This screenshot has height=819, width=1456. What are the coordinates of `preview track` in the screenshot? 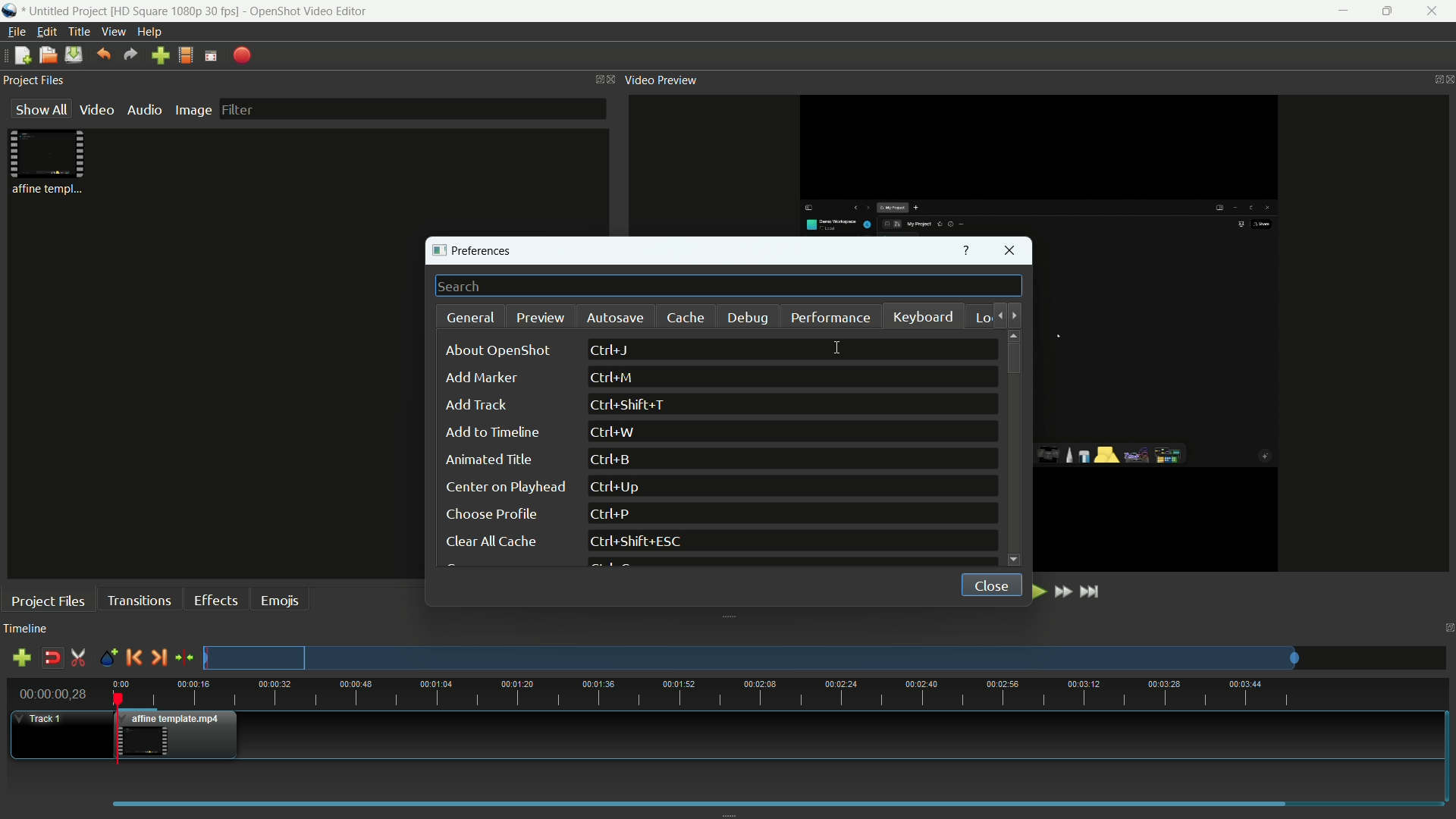 It's located at (750, 657).